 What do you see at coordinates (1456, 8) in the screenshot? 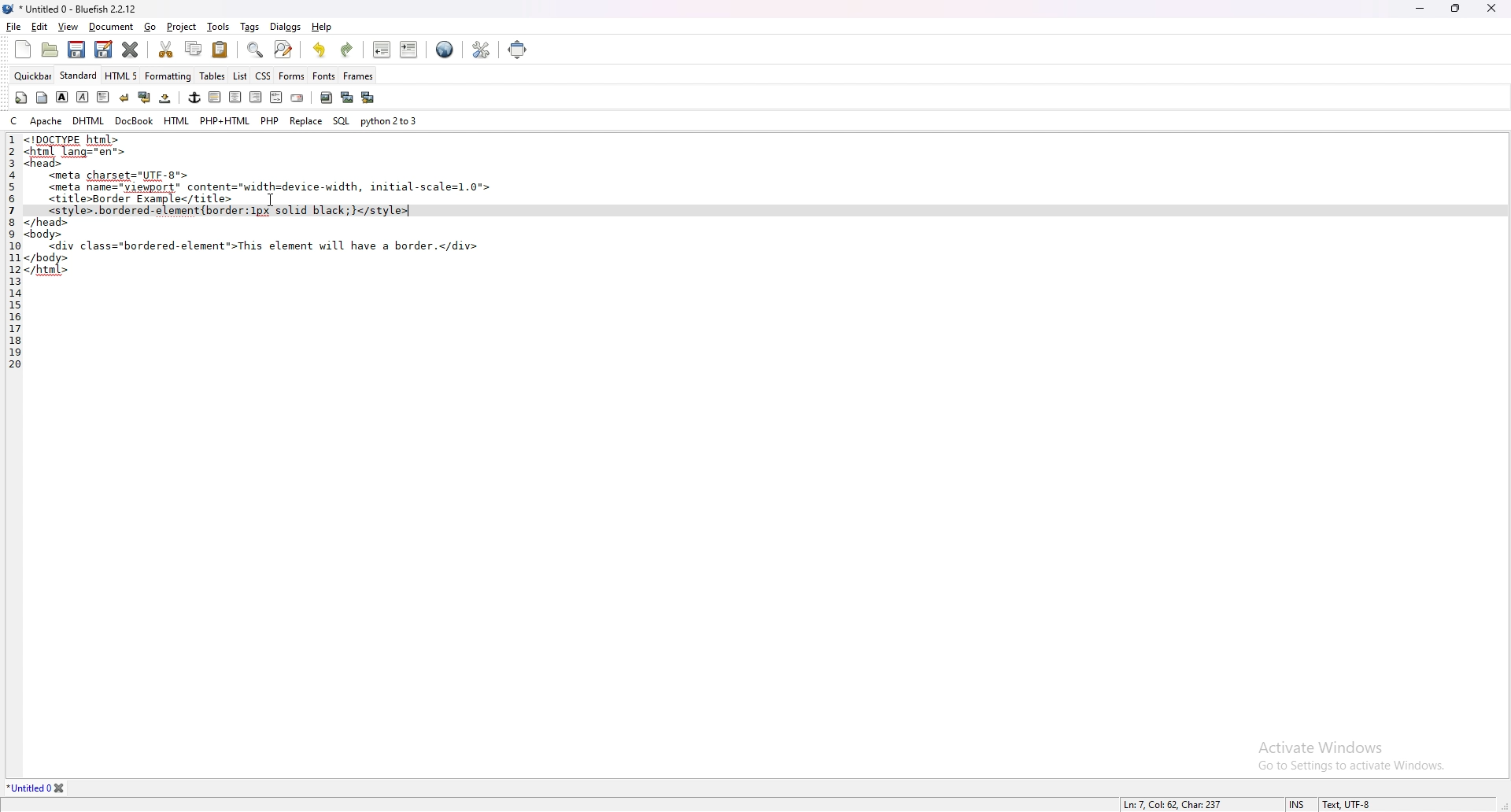
I see `resize` at bounding box center [1456, 8].